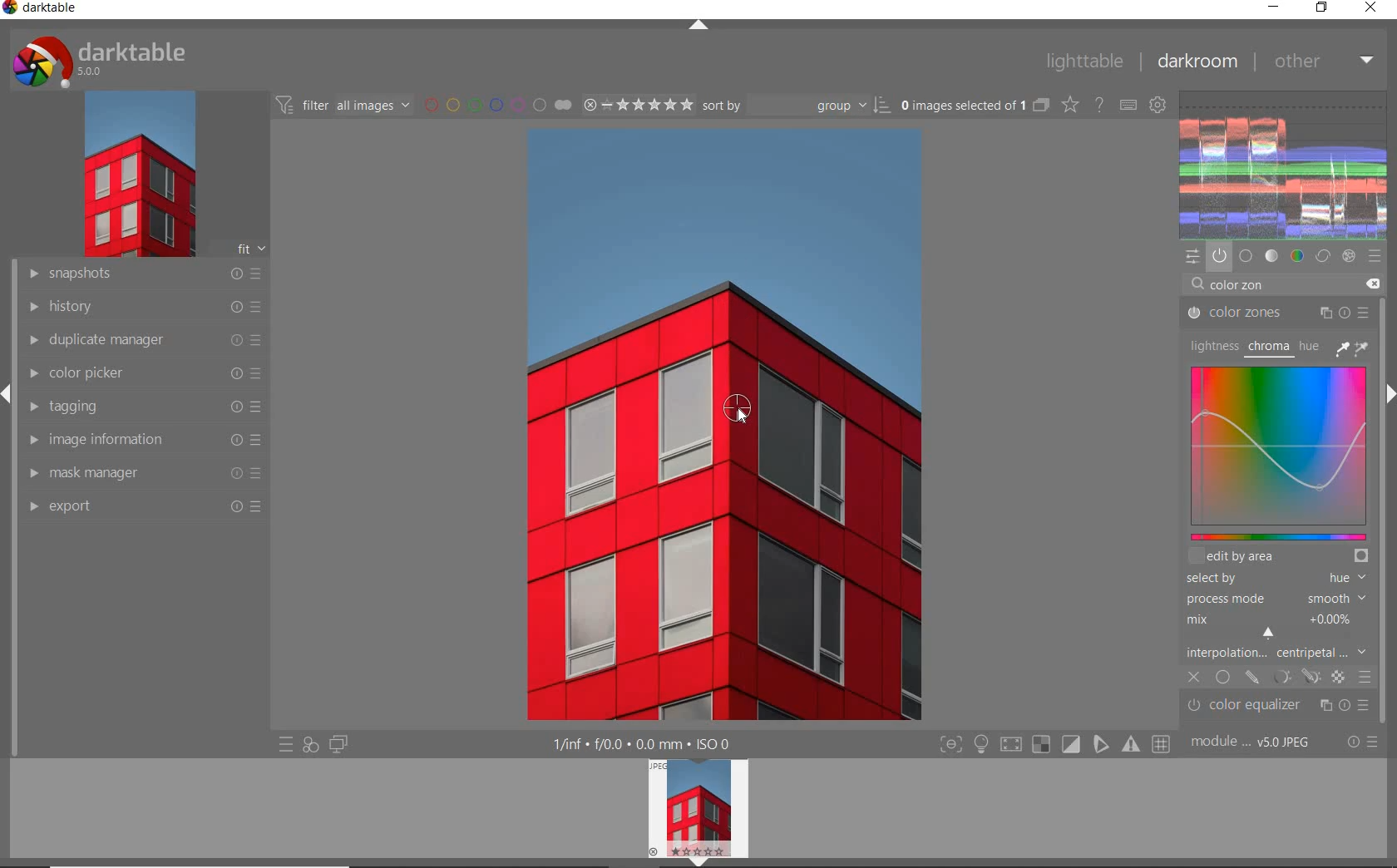  I want to click on change type of overlays, so click(1072, 106).